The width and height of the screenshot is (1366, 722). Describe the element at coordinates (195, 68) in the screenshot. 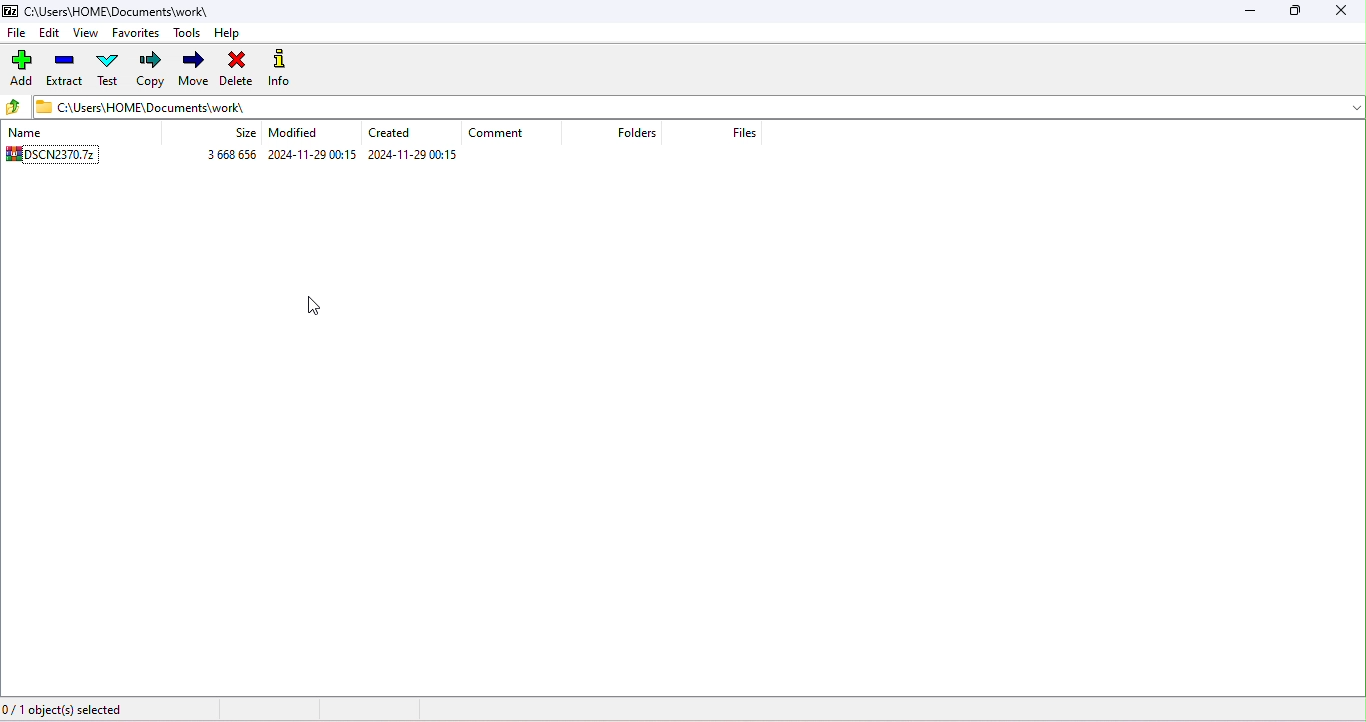

I see `move` at that location.